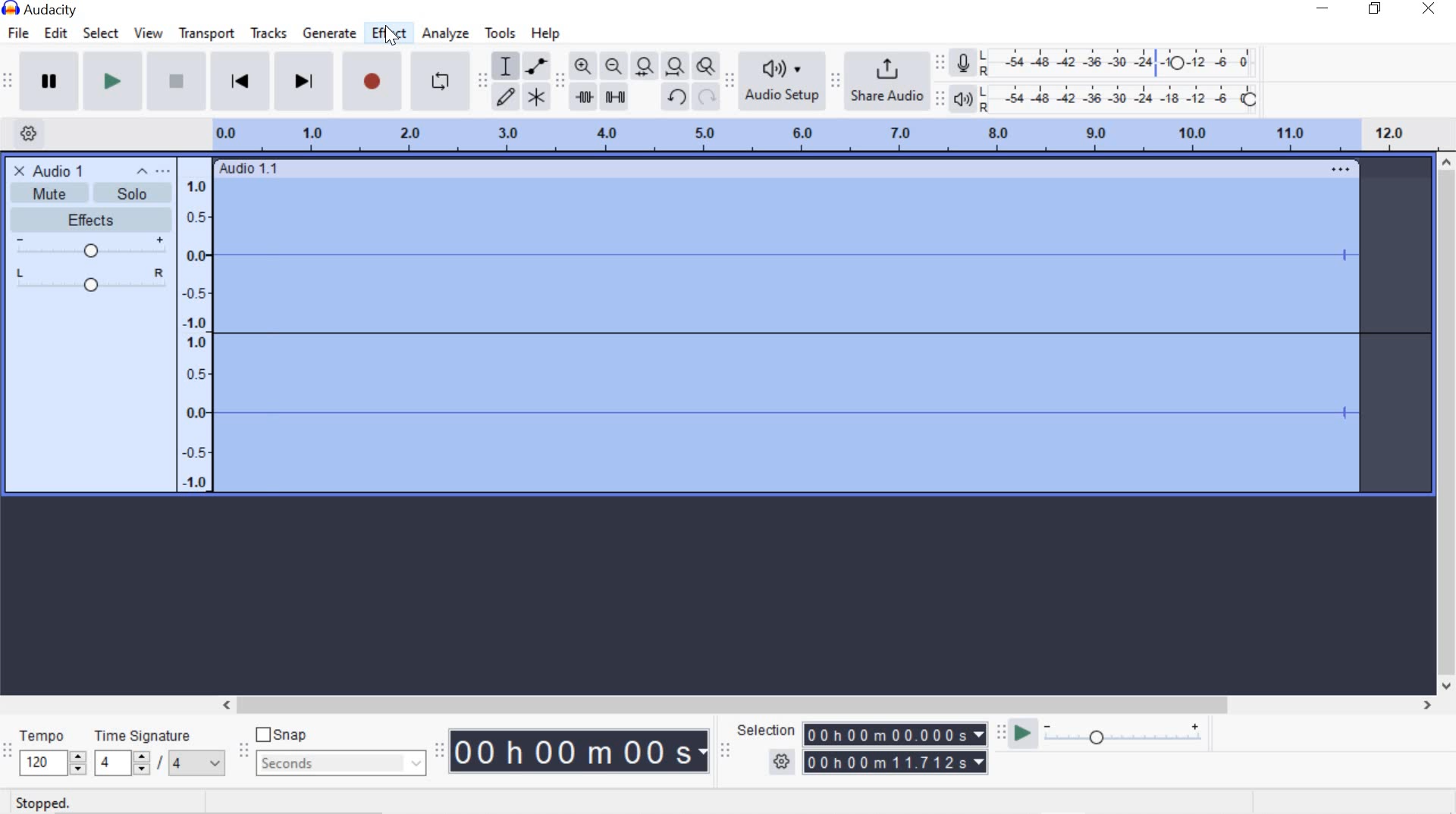 Image resolution: width=1456 pixels, height=814 pixels. Describe the element at coordinates (889, 82) in the screenshot. I see `Share audio` at that location.